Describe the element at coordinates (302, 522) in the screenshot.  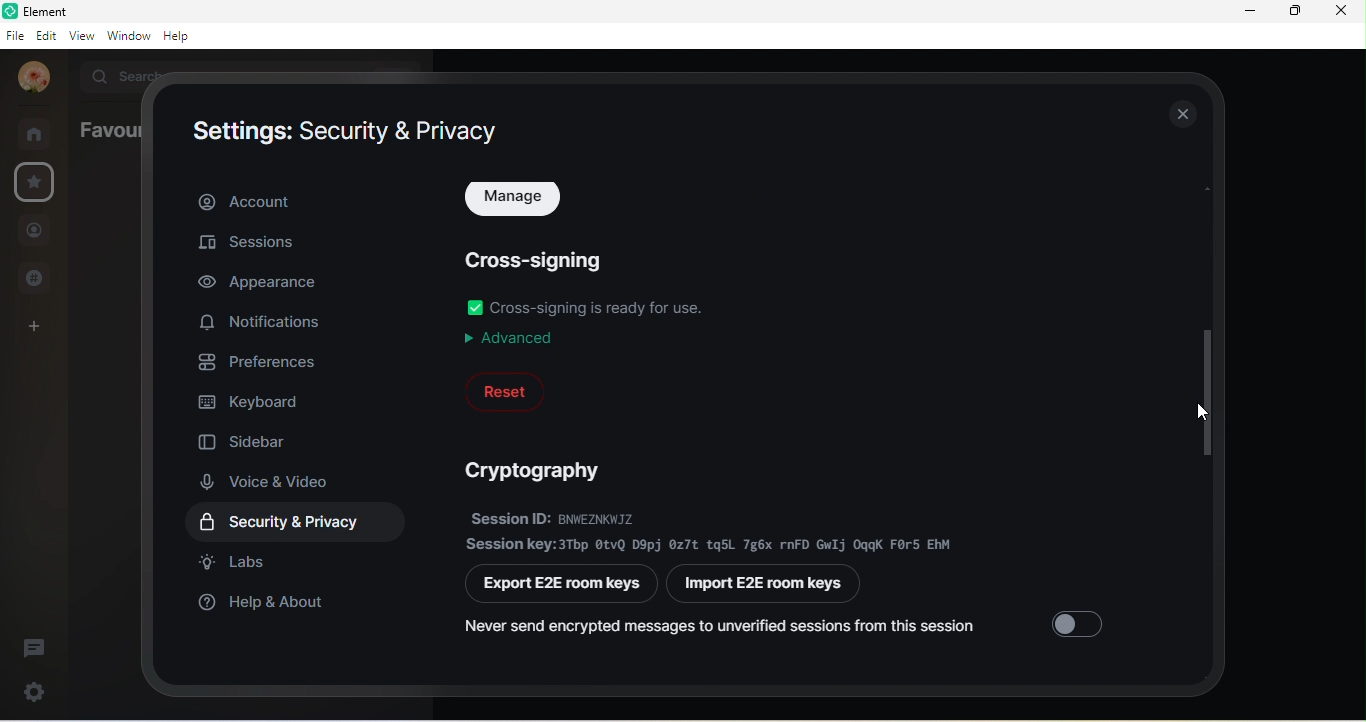
I see `security and privacy` at that location.